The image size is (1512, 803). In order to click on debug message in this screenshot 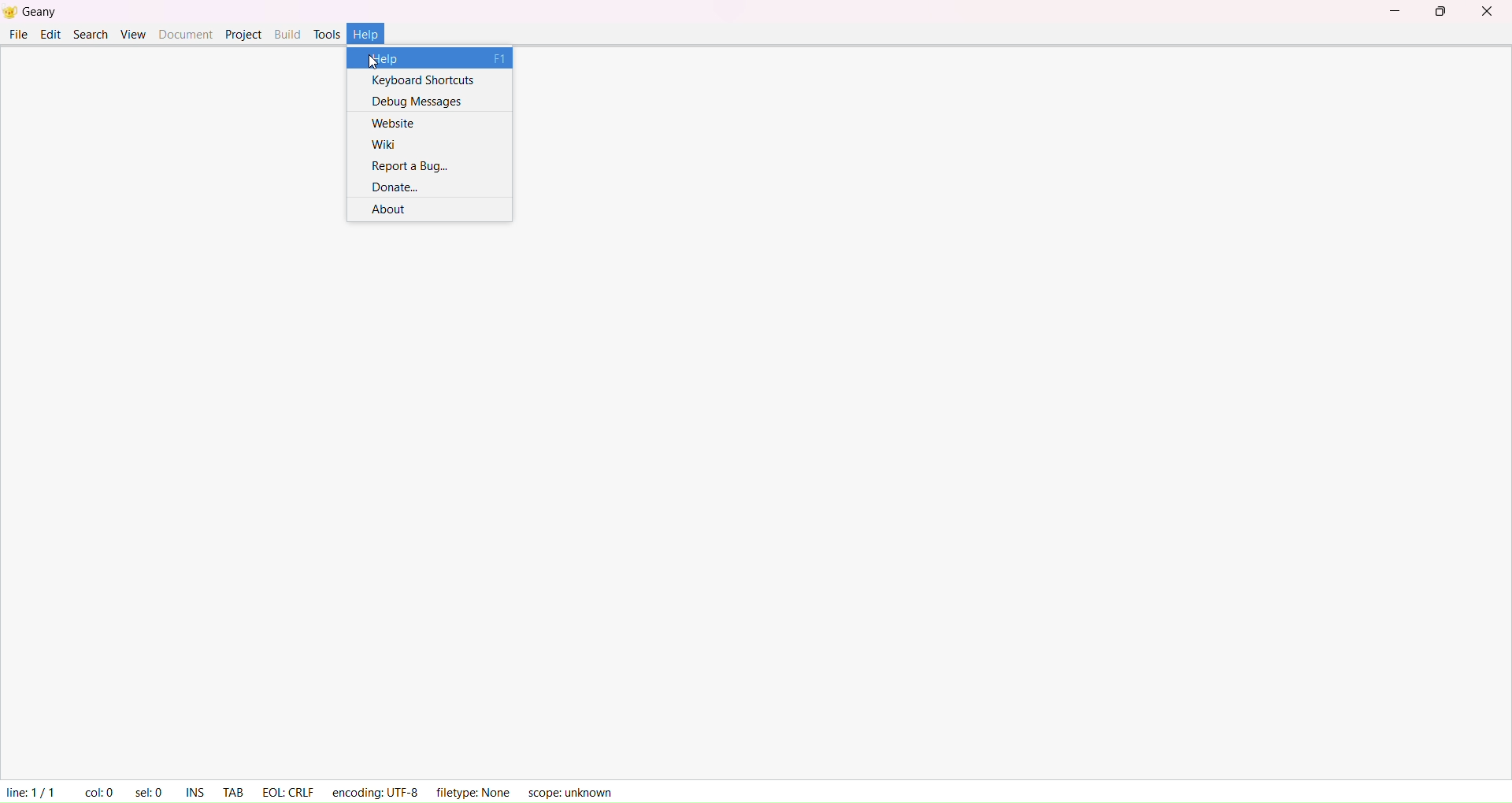, I will do `click(420, 99)`.